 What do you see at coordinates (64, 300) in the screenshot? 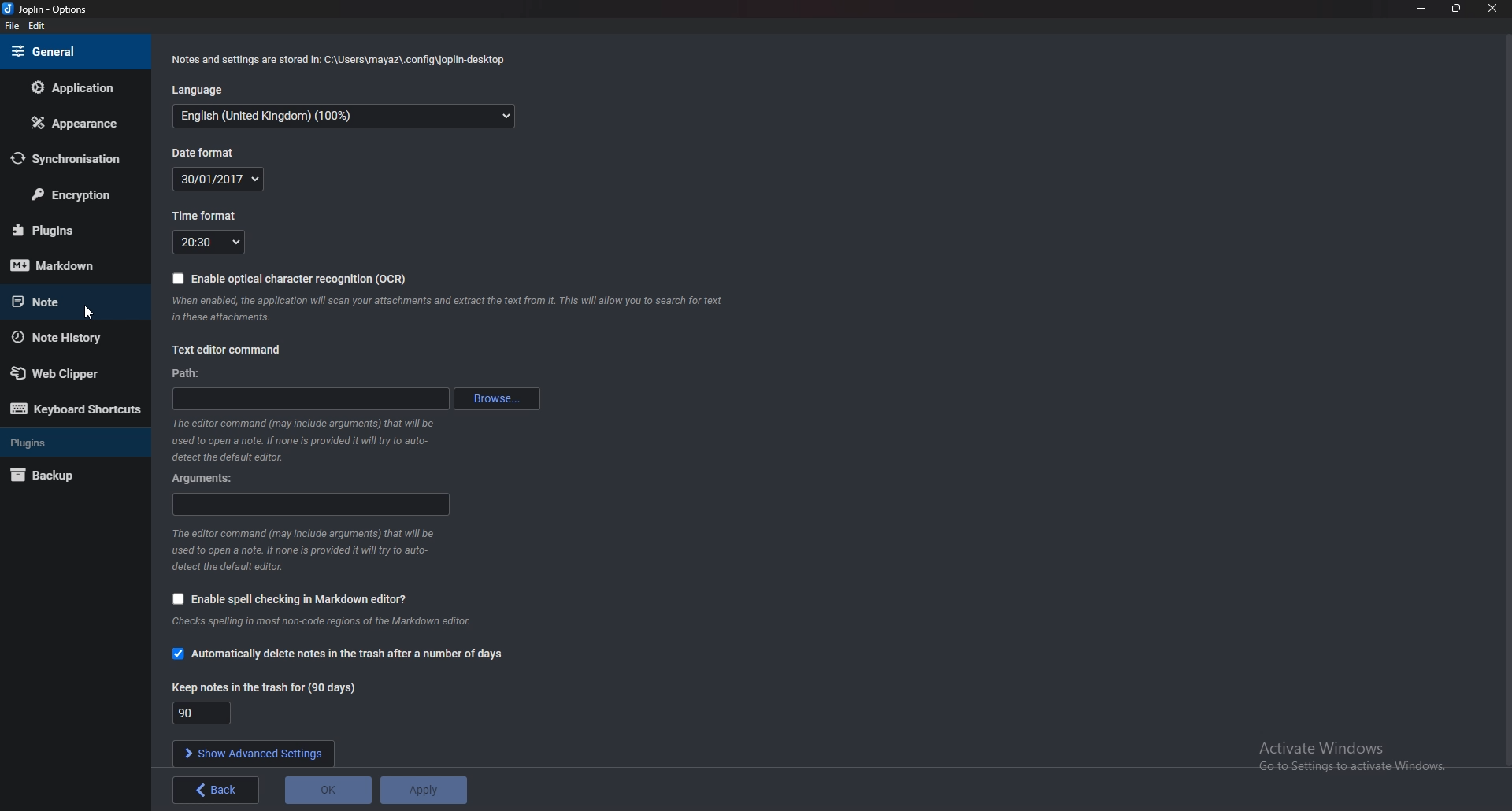
I see `note` at bounding box center [64, 300].